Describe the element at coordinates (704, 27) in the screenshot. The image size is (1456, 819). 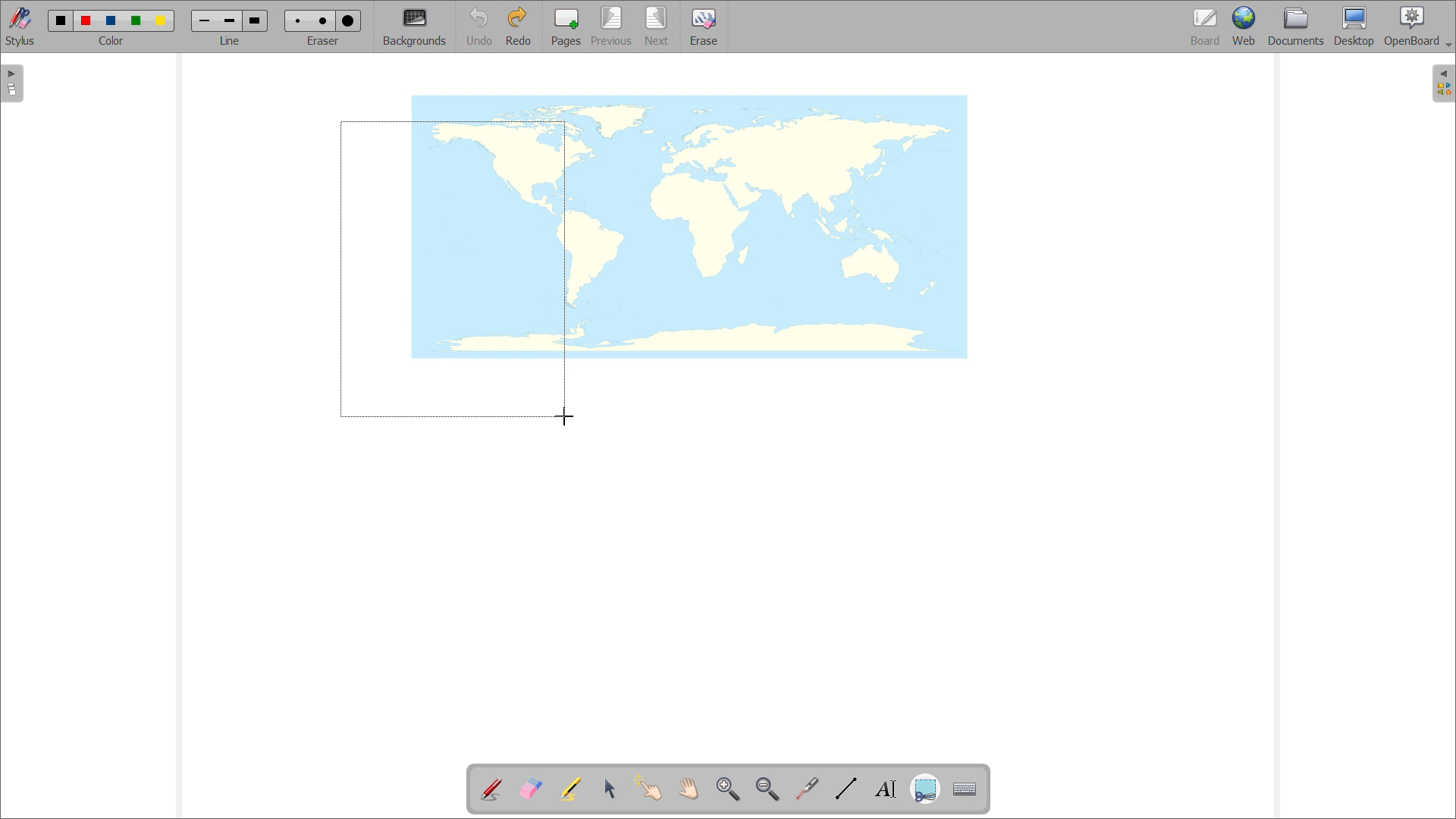
I see `erase` at that location.